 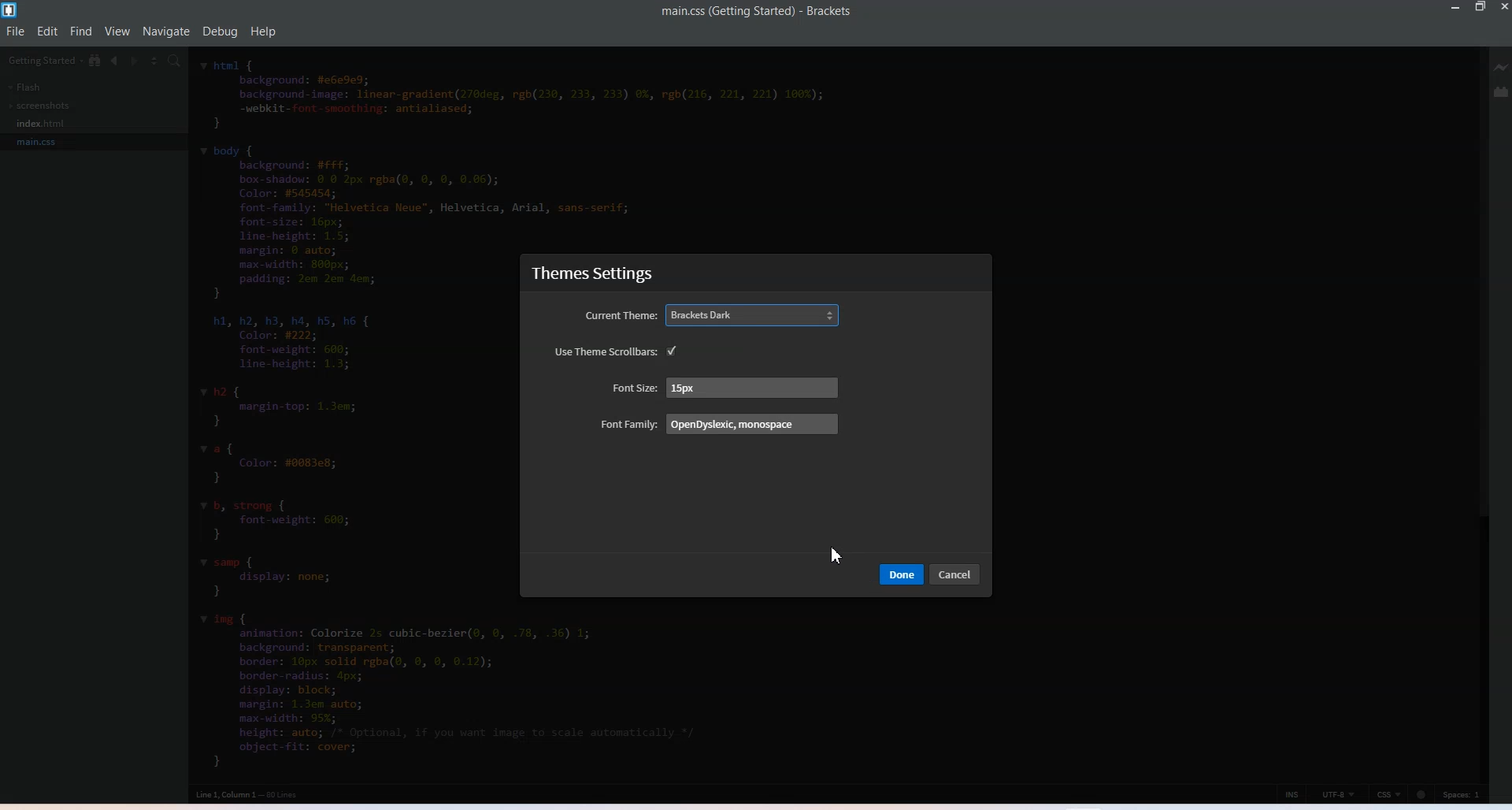 I want to click on Cursor, so click(x=836, y=554).